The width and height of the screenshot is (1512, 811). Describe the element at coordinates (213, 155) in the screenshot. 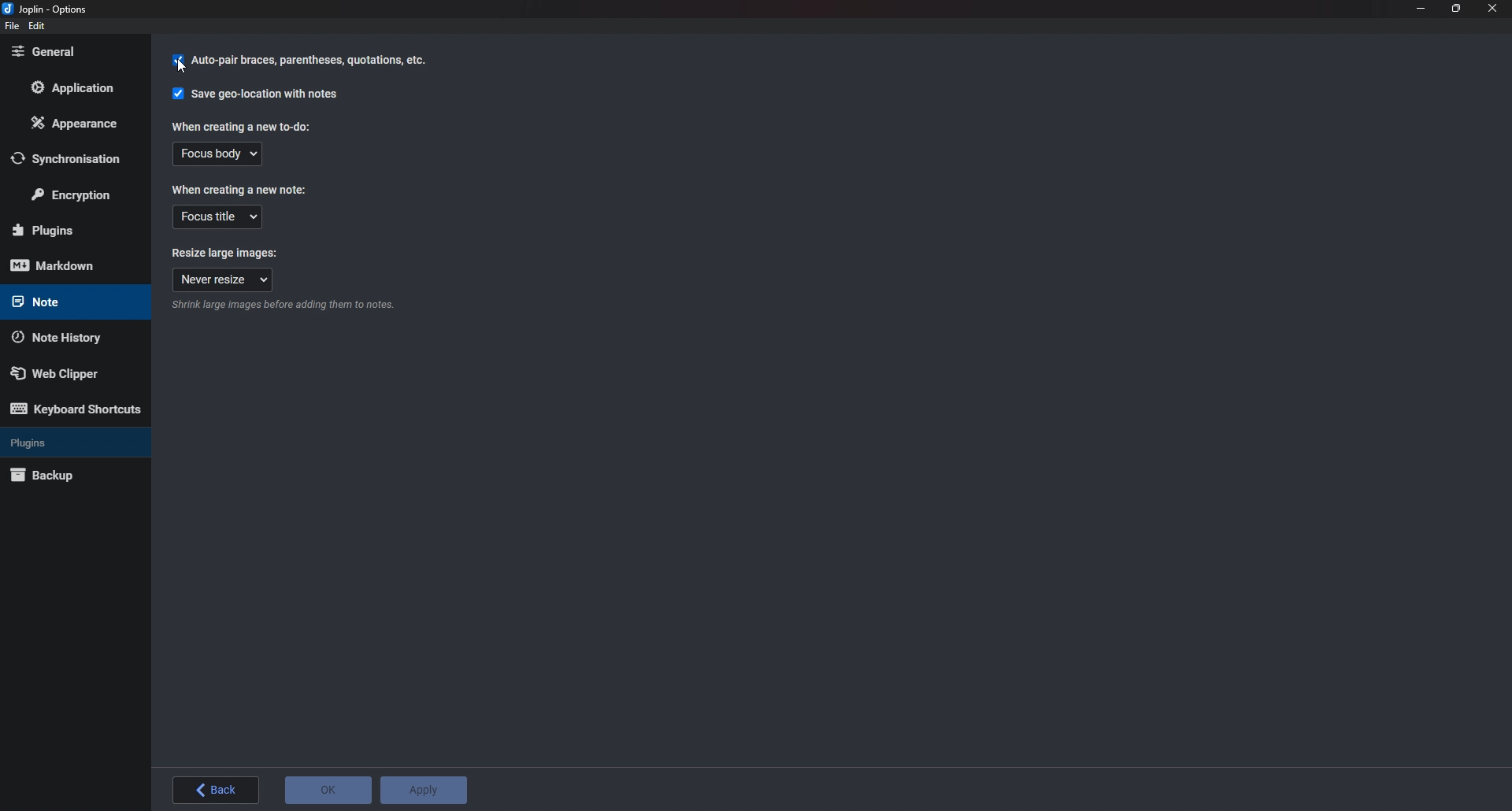

I see `Focus body` at that location.